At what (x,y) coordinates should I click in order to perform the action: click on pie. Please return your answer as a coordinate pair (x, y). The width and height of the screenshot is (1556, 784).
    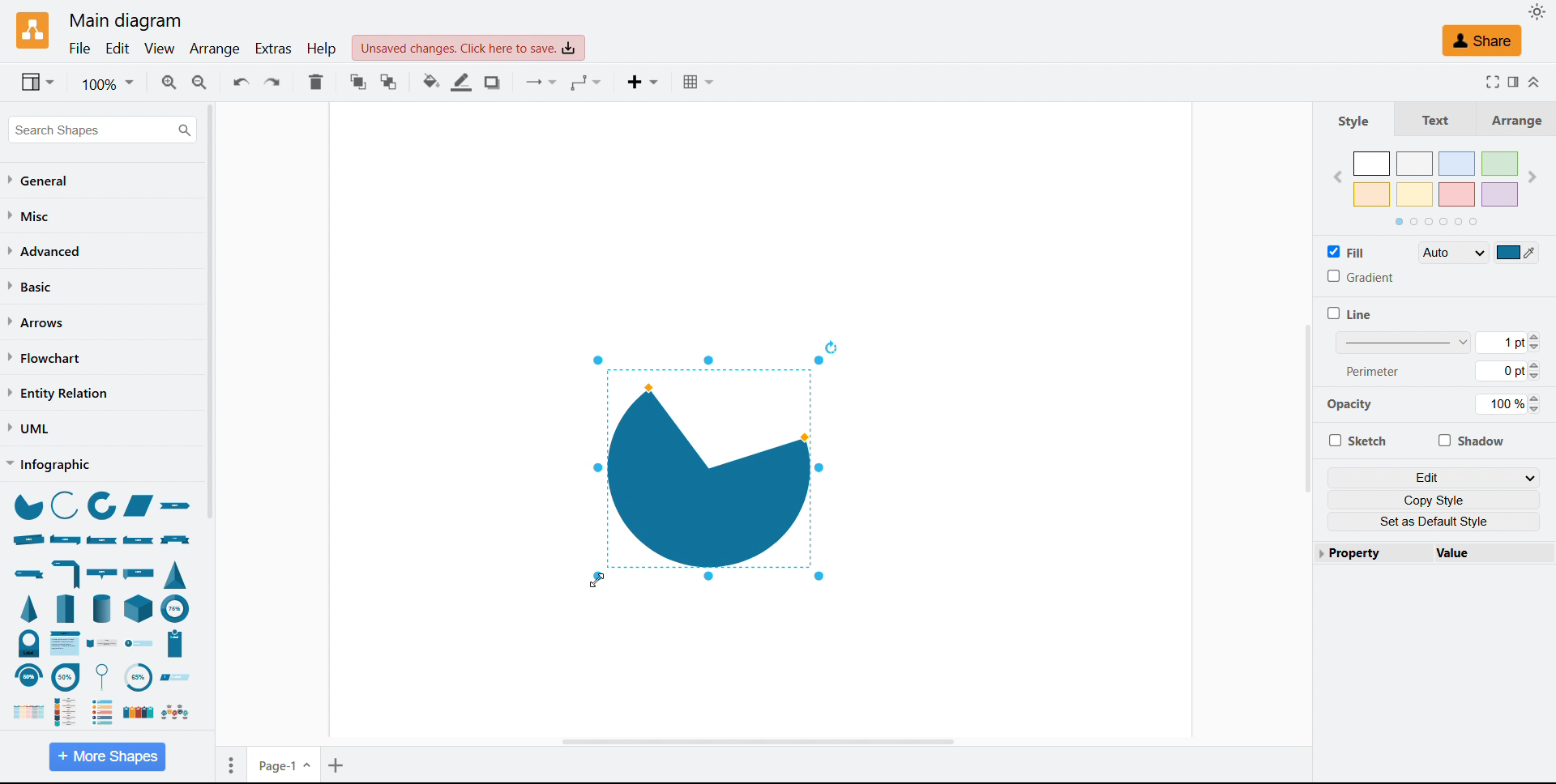
    Looking at the image, I should click on (27, 505).